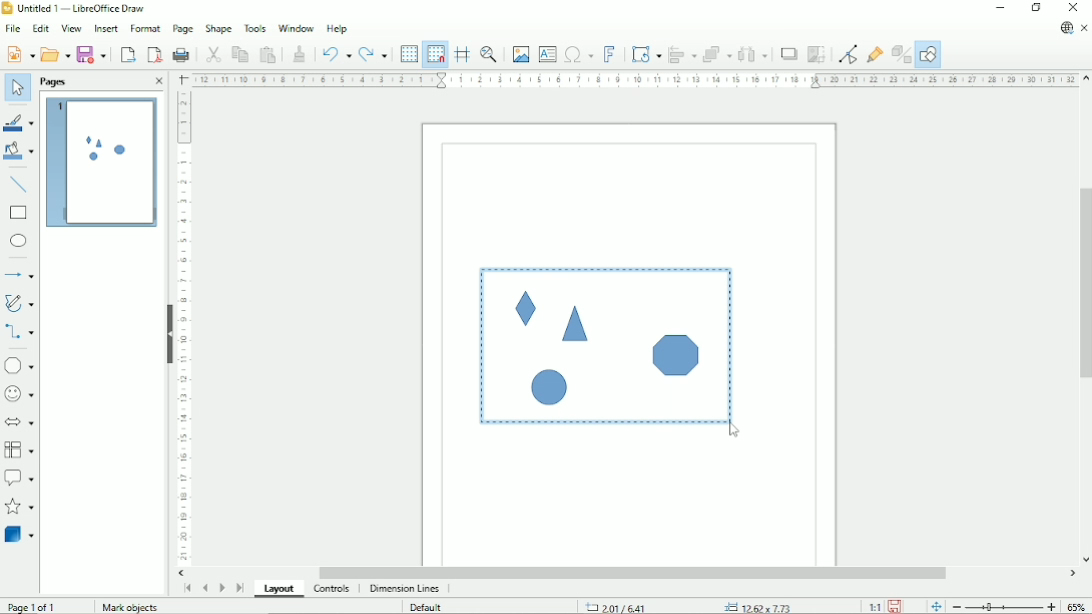 The image size is (1092, 614). What do you see at coordinates (154, 55) in the screenshot?
I see `Export directly as PDF` at bounding box center [154, 55].